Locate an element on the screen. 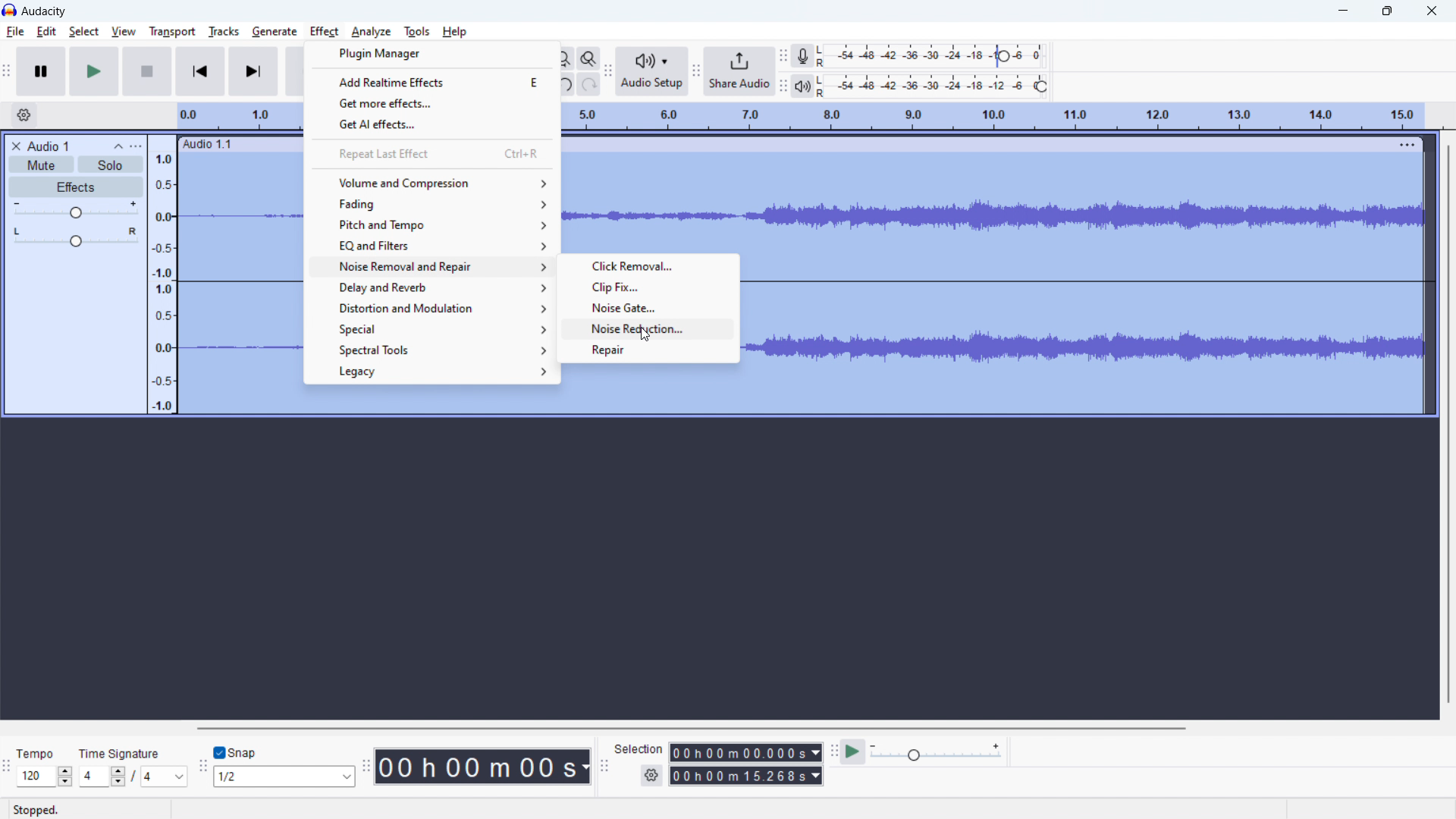 This screenshot has height=819, width=1456. recording meter toolbar is located at coordinates (783, 56).